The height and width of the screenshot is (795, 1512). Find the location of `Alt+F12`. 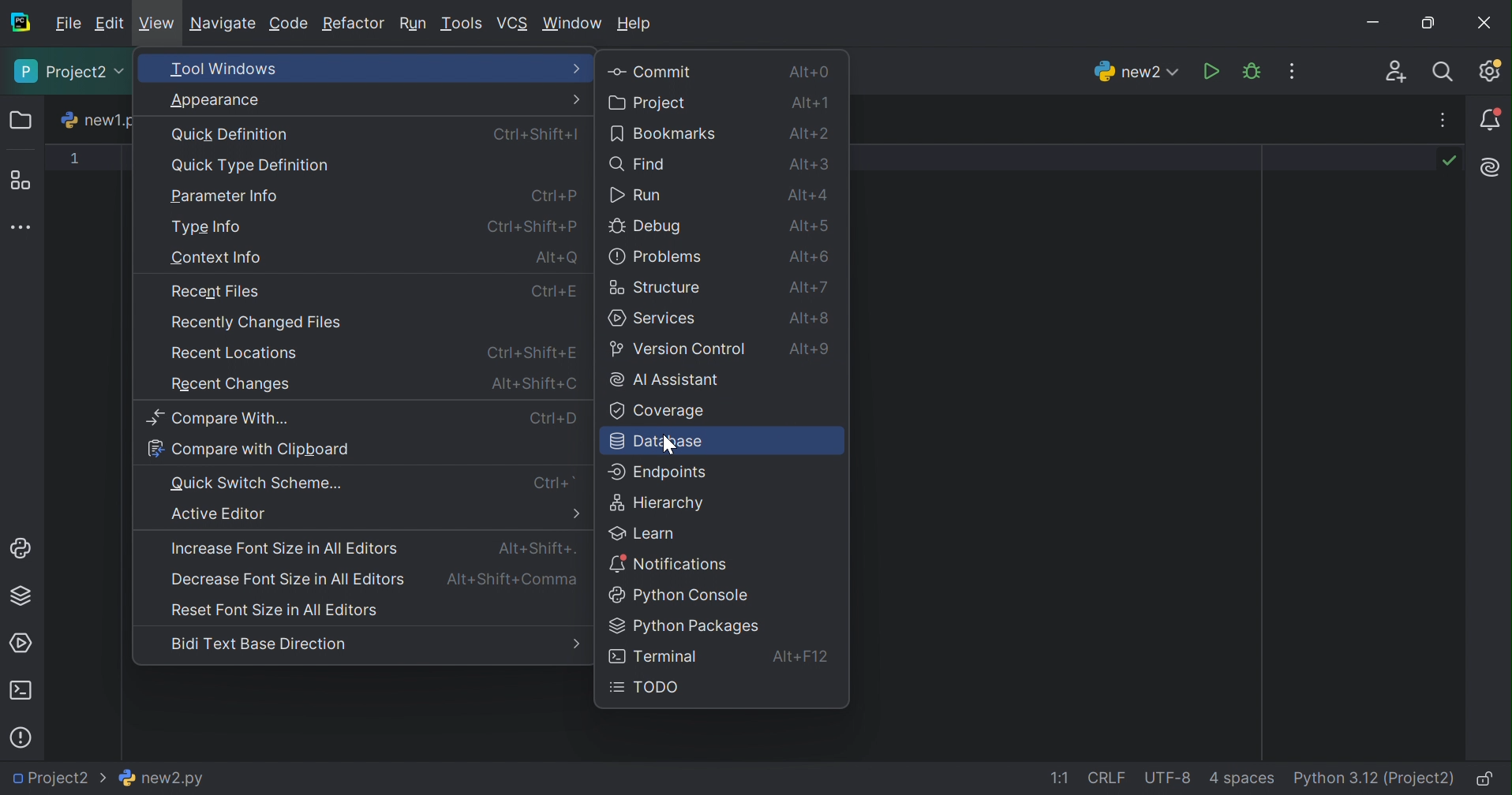

Alt+F12 is located at coordinates (800, 658).